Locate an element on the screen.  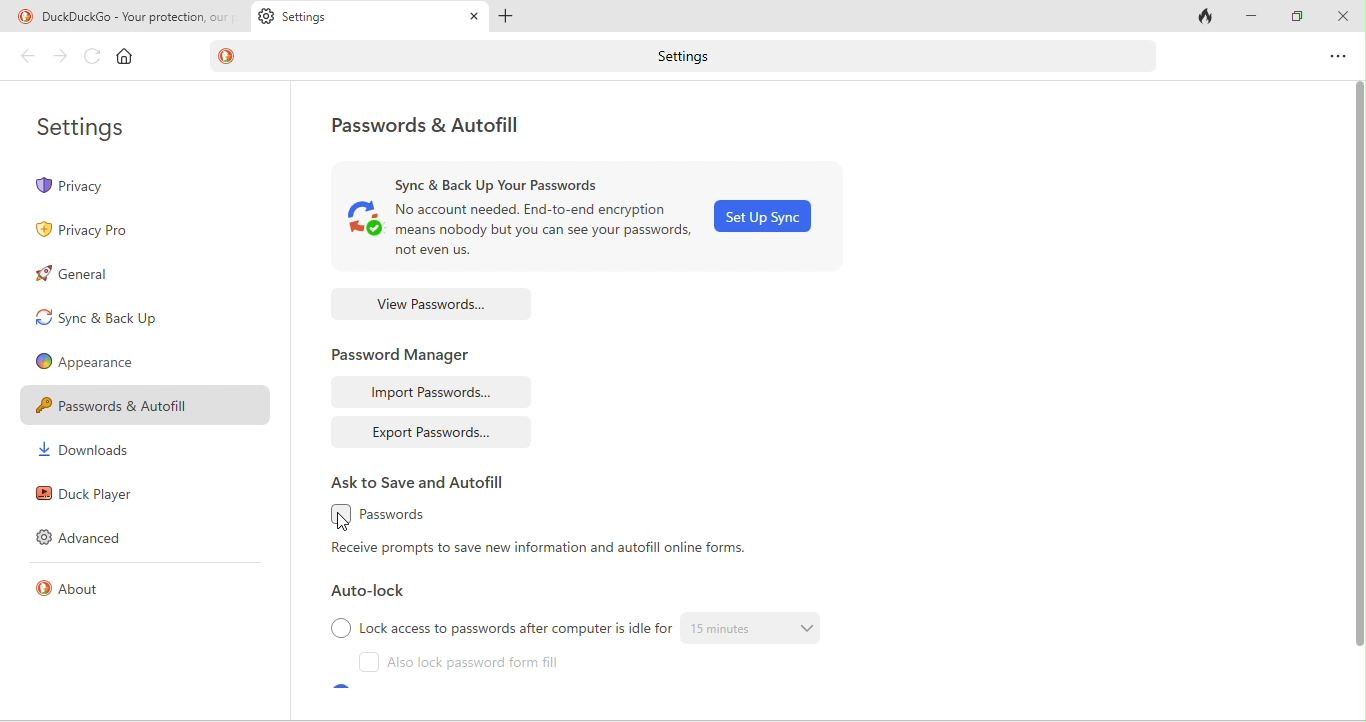
advanced is located at coordinates (88, 540).